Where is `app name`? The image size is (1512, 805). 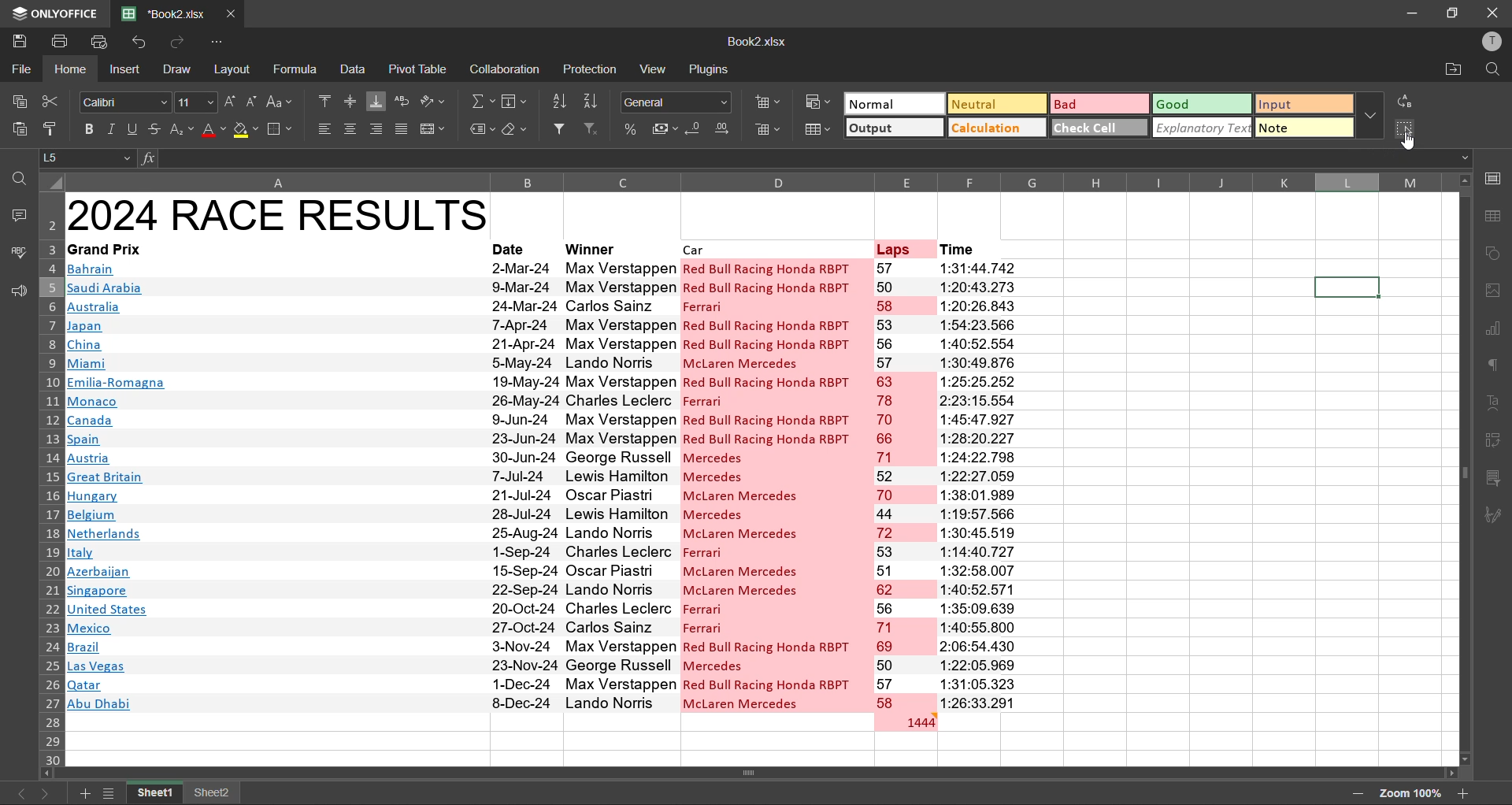
app name is located at coordinates (55, 11).